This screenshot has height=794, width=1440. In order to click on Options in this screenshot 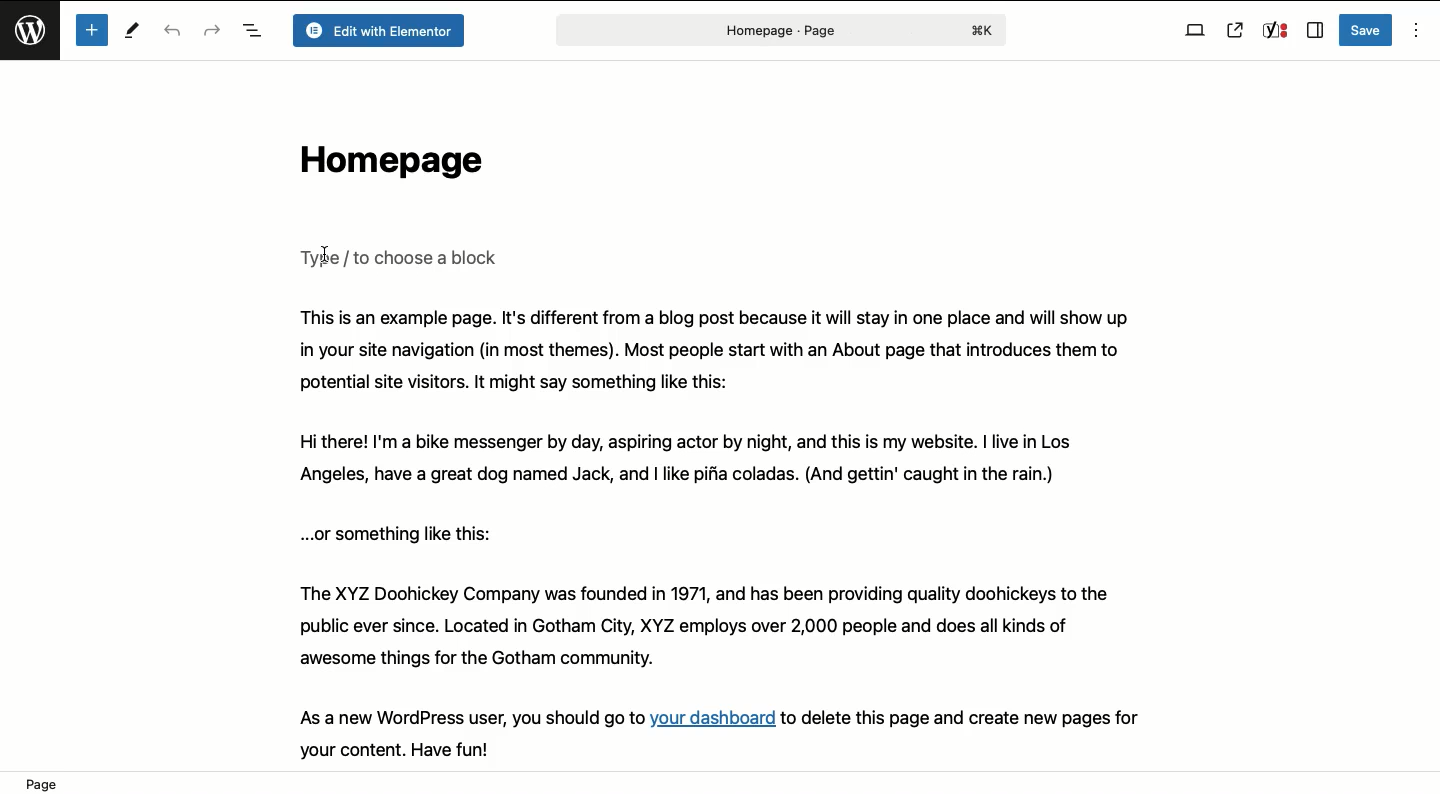, I will do `click(1414, 31)`.